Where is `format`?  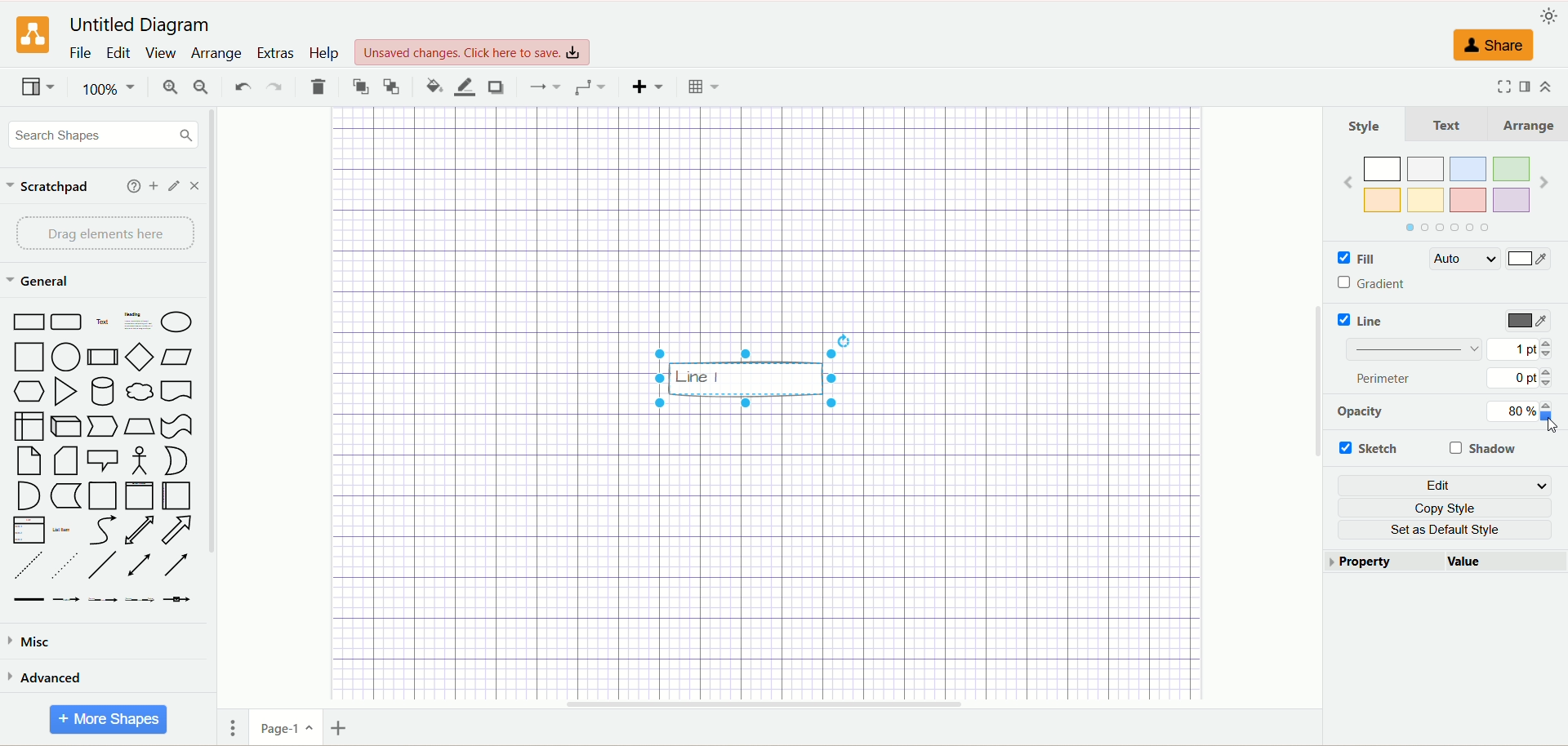
format is located at coordinates (1526, 87).